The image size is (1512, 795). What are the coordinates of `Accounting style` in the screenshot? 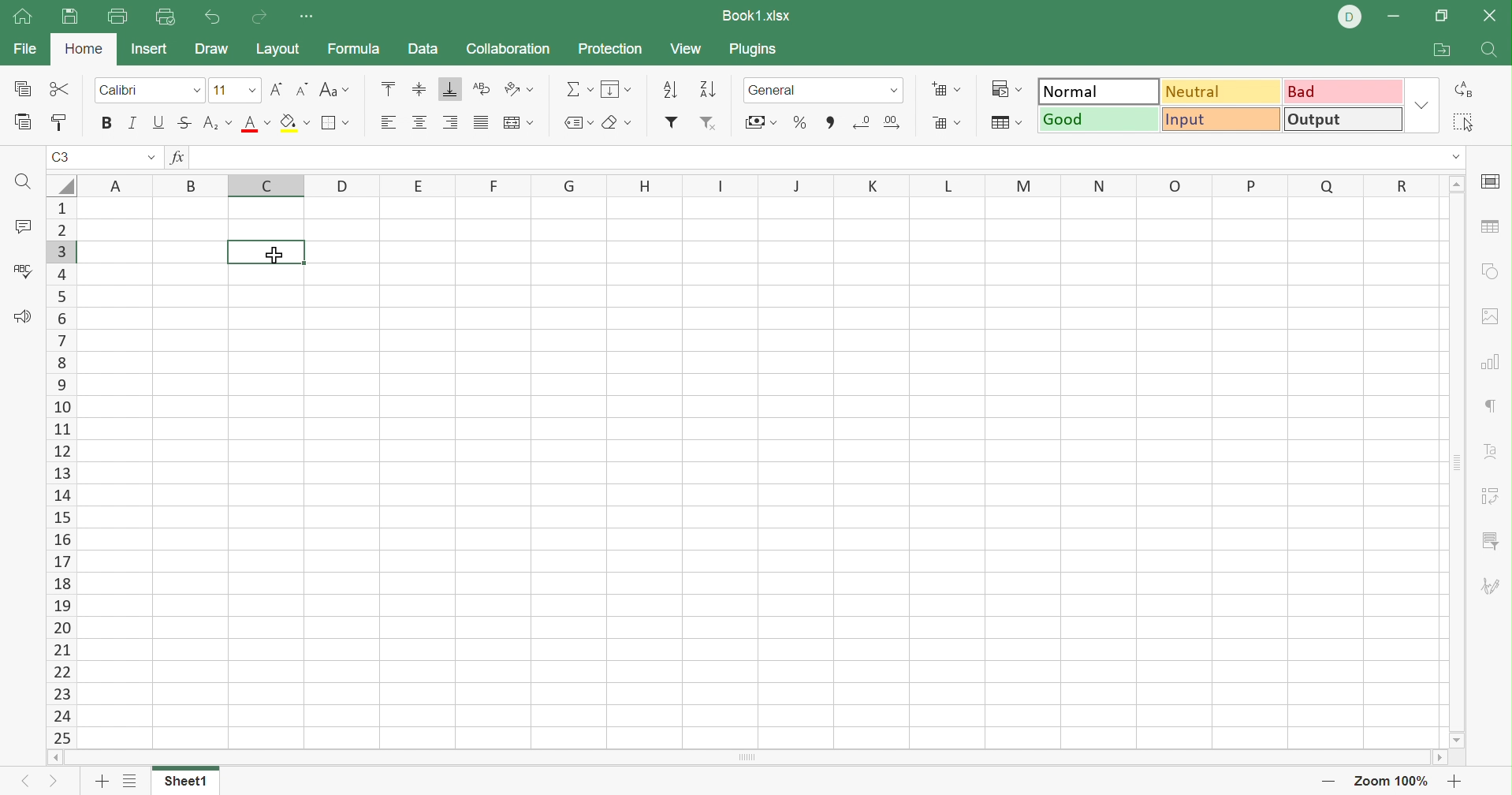 It's located at (759, 122).